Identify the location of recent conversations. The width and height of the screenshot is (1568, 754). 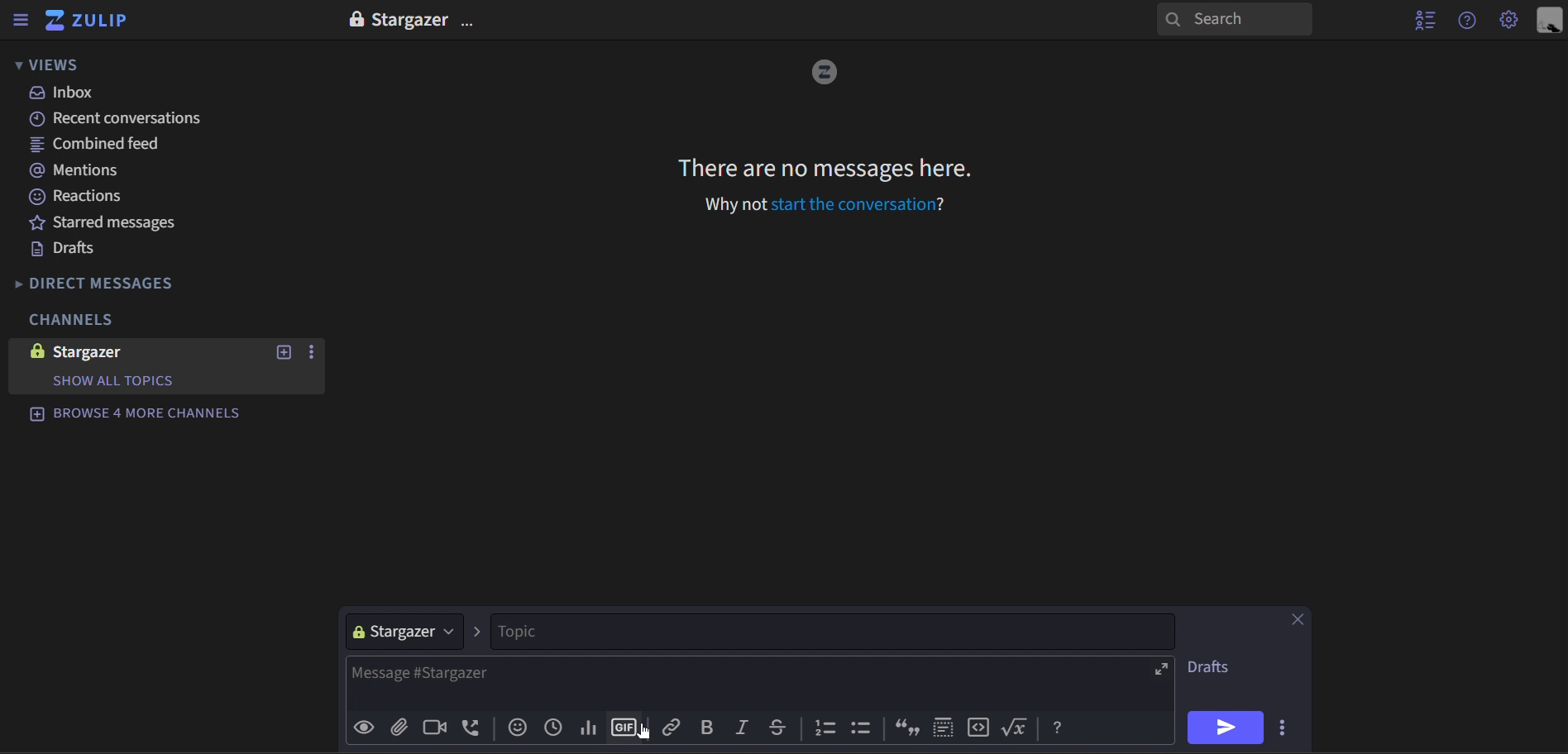
(123, 118).